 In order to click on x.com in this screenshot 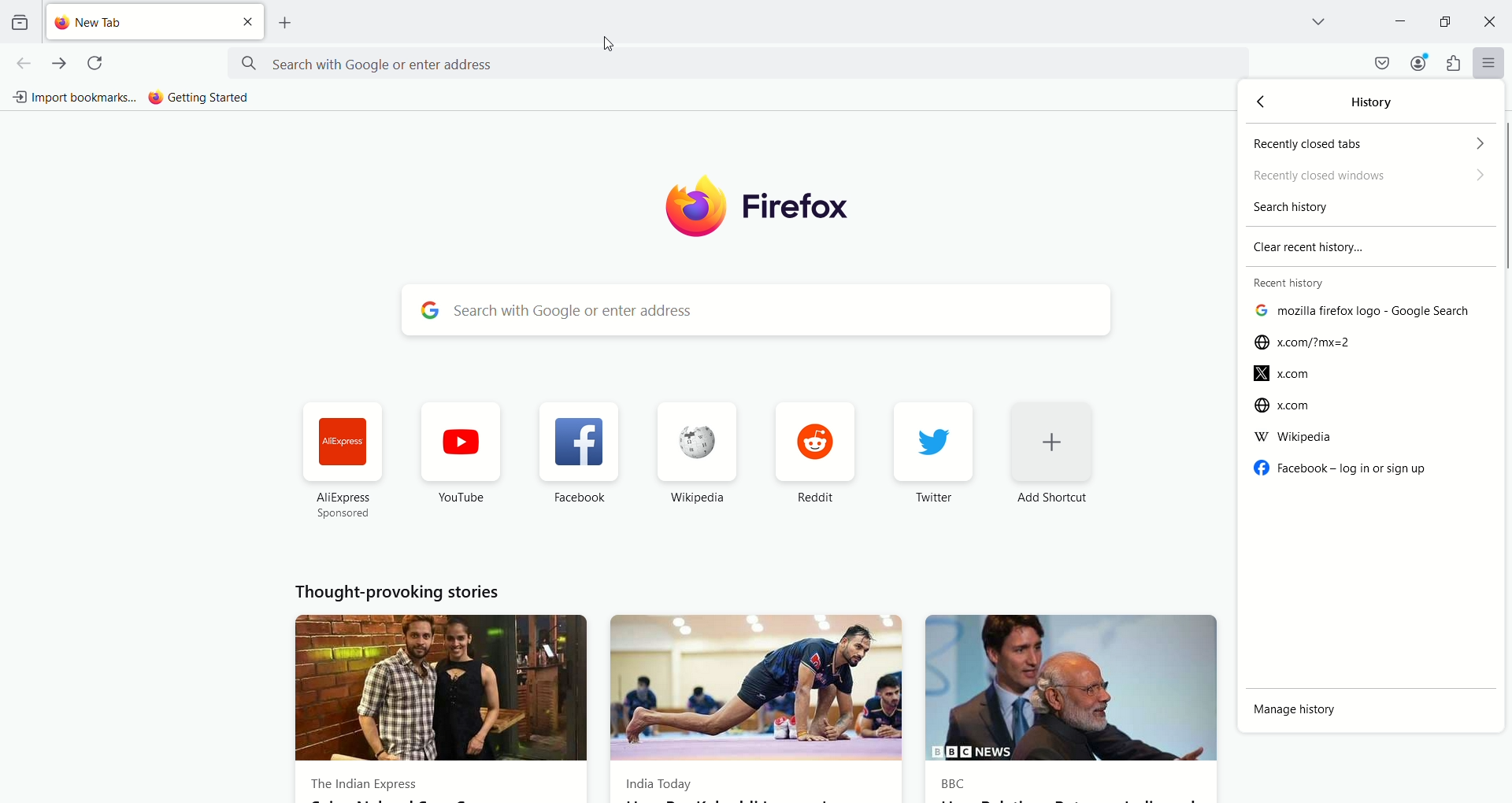, I will do `click(1287, 404)`.